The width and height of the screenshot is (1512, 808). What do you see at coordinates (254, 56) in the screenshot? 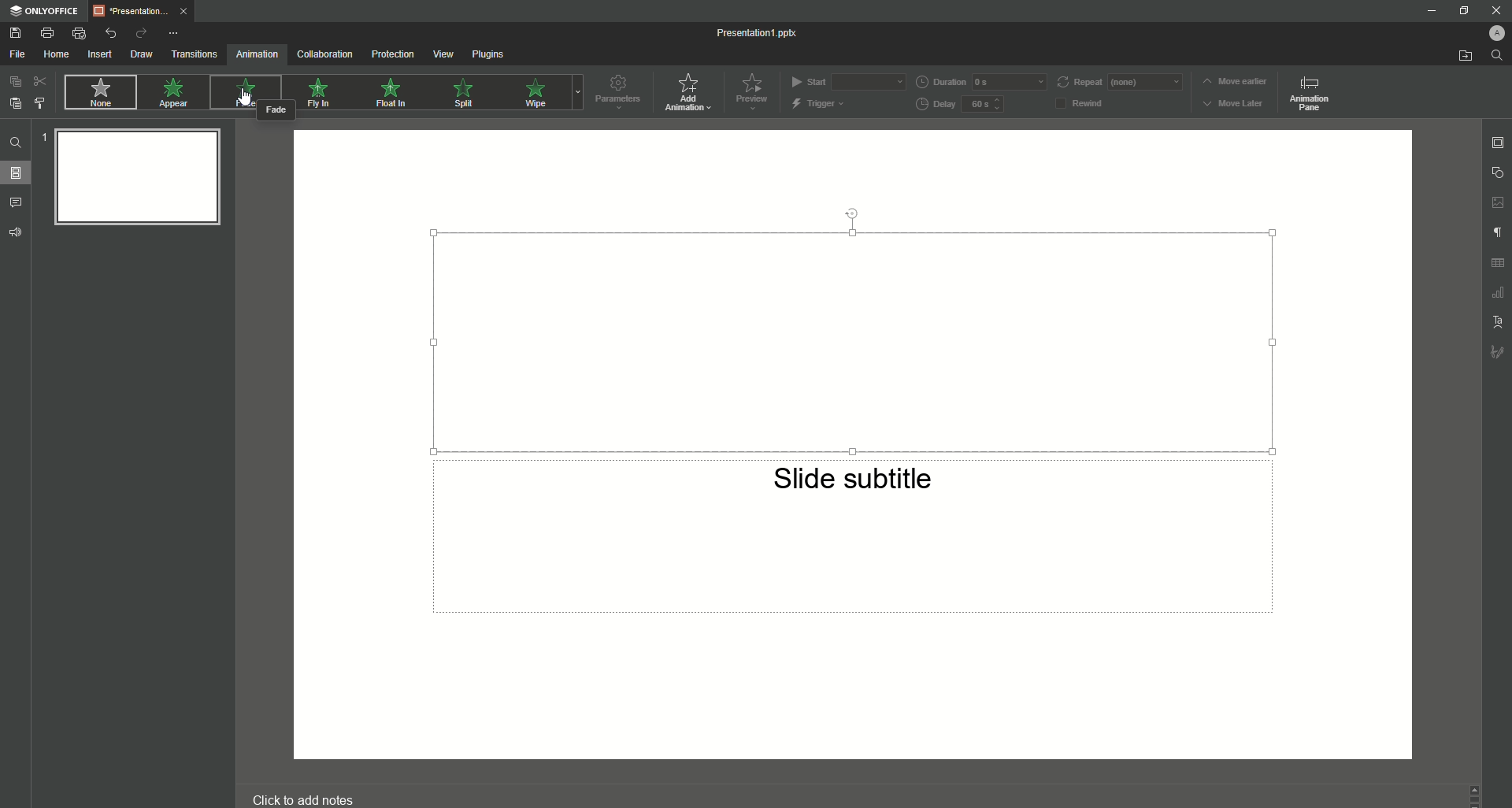
I see `Animation` at bounding box center [254, 56].